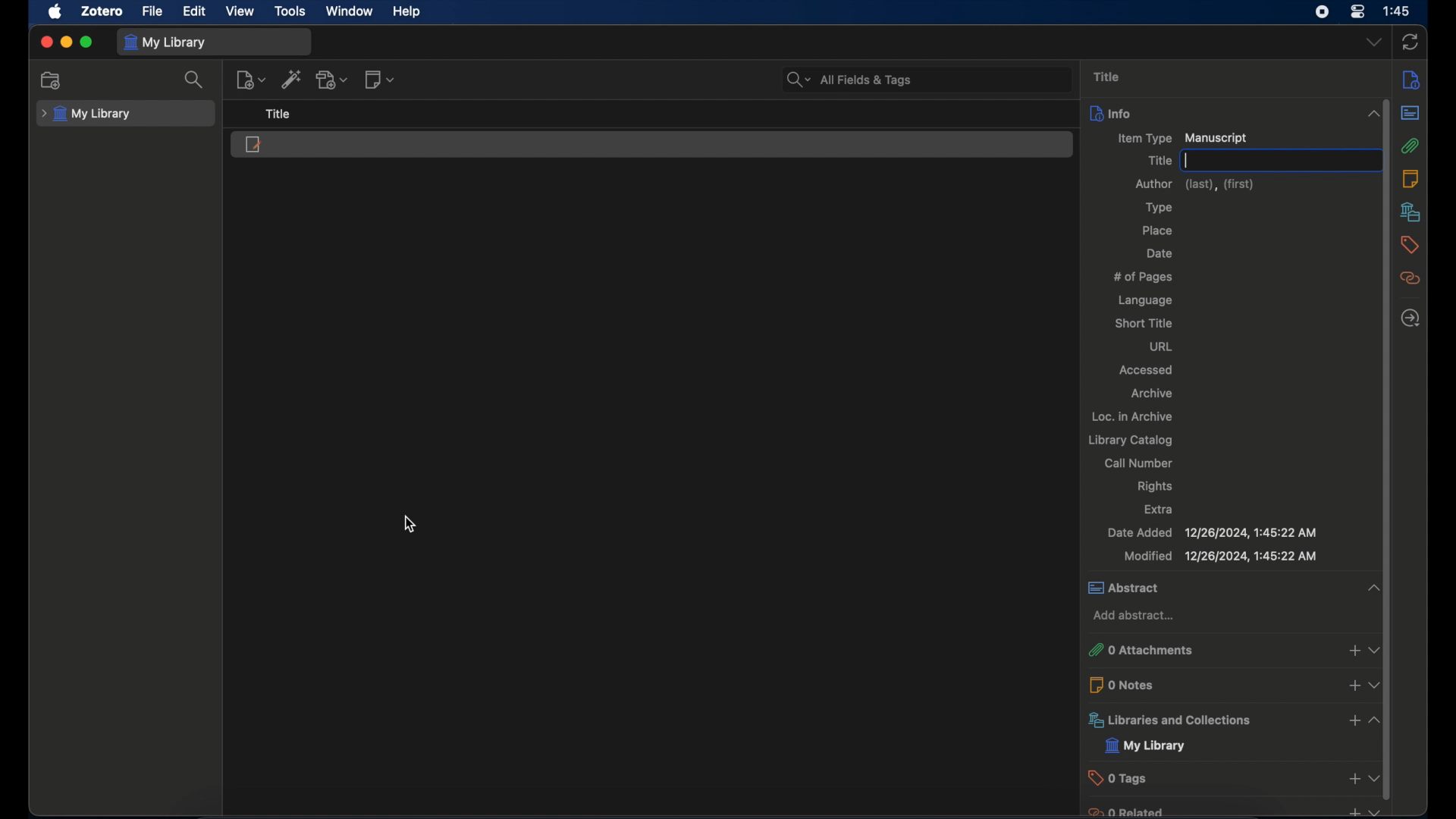 The image size is (1456, 819). I want to click on notes, so click(1411, 179).